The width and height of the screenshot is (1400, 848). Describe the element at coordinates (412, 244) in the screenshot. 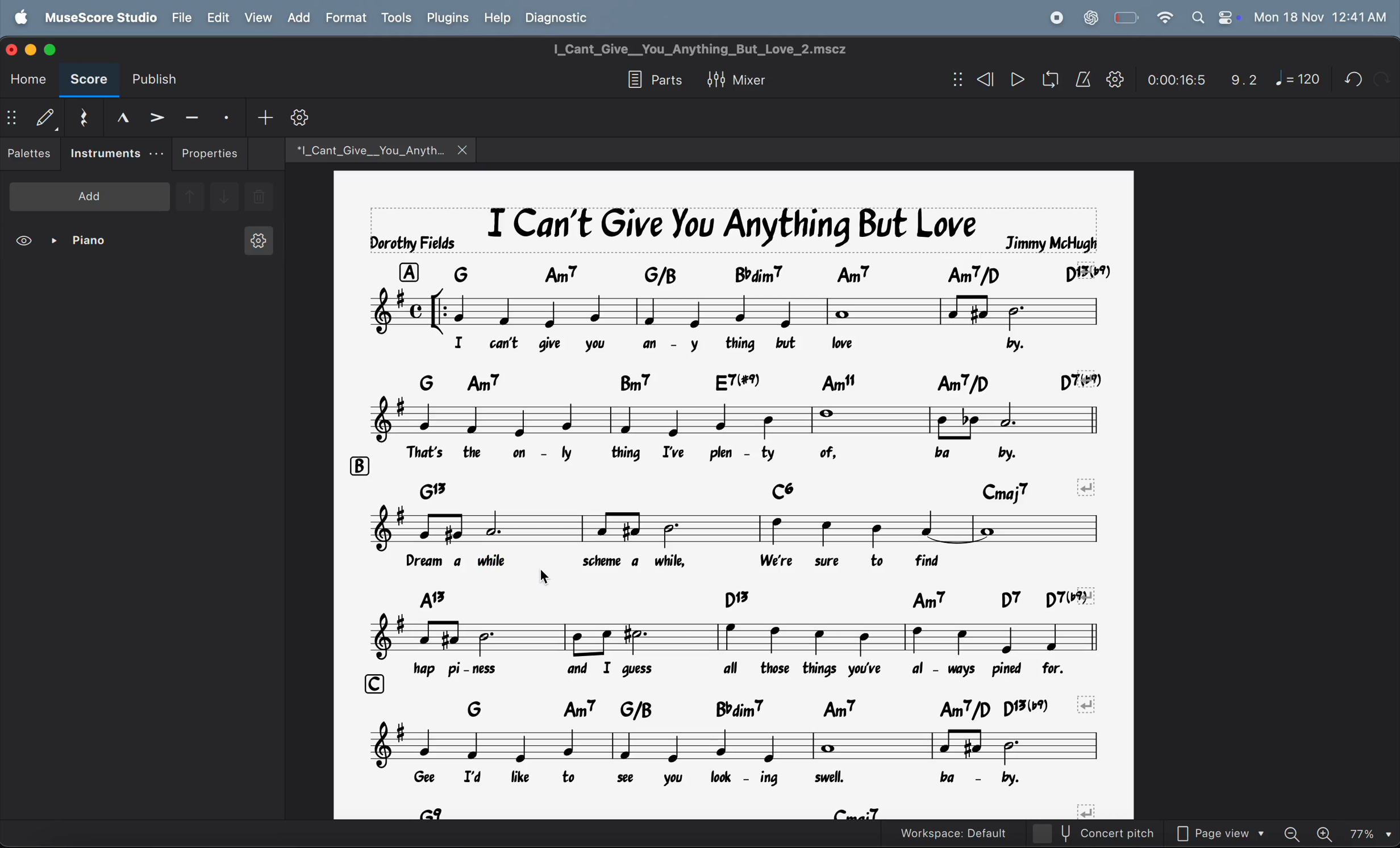

I see `dorothy fields` at that location.